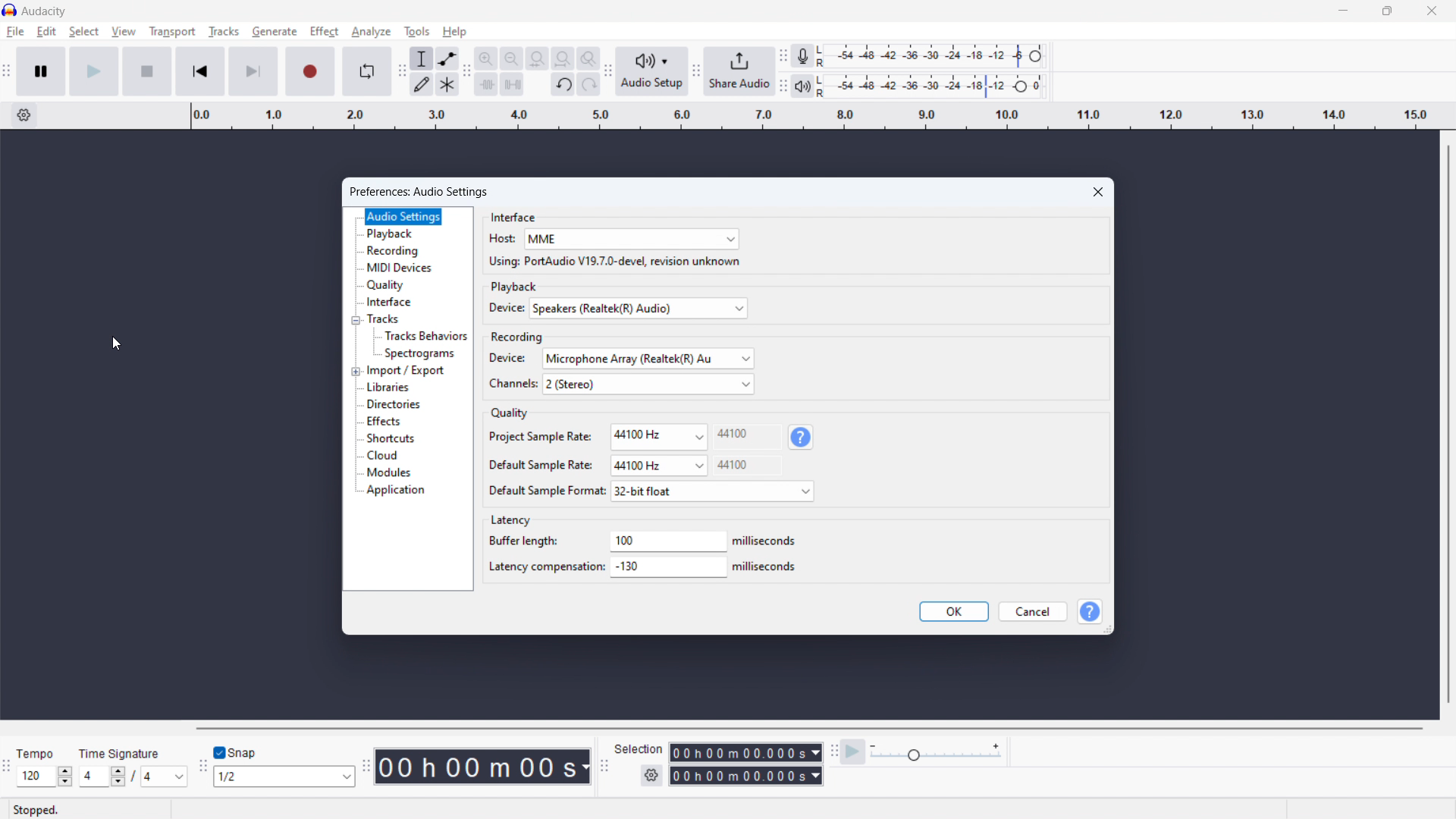 The height and width of the screenshot is (819, 1456). Describe the element at coordinates (486, 84) in the screenshot. I see `trim audio outside selection` at that location.